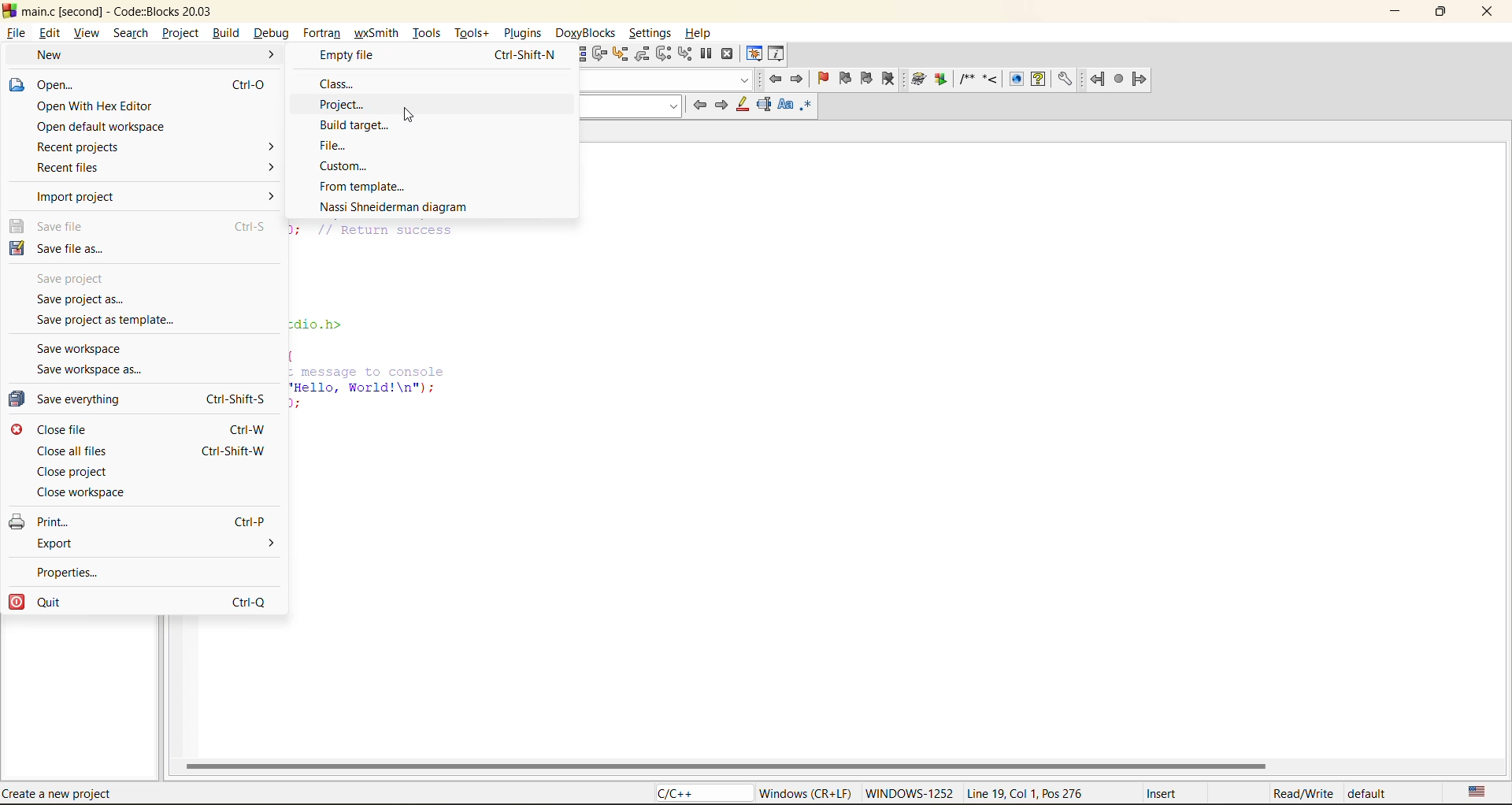  Describe the element at coordinates (378, 228) in the screenshot. I see `J; // Return success` at that location.